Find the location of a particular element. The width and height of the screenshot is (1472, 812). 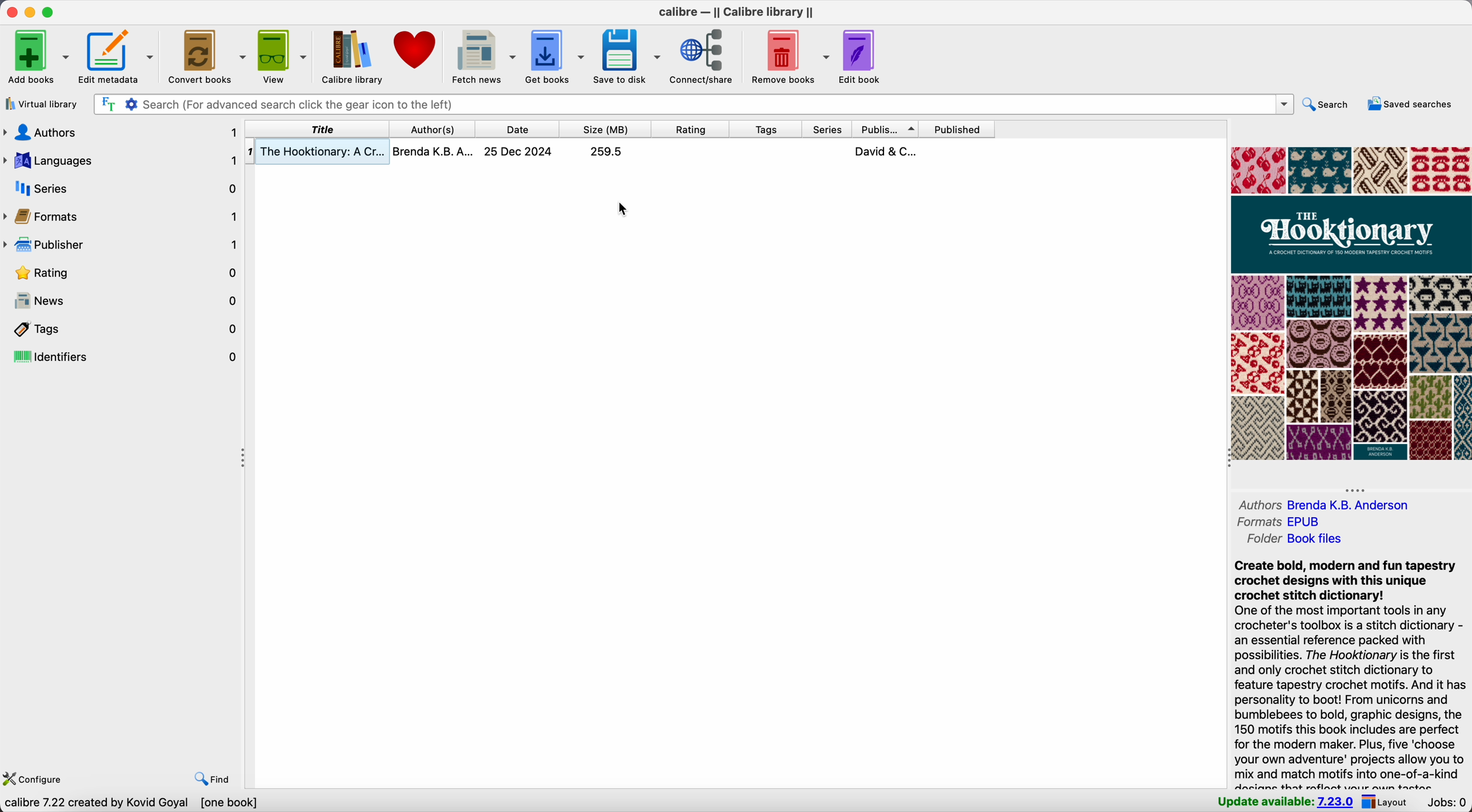

edit metadata is located at coordinates (119, 57).